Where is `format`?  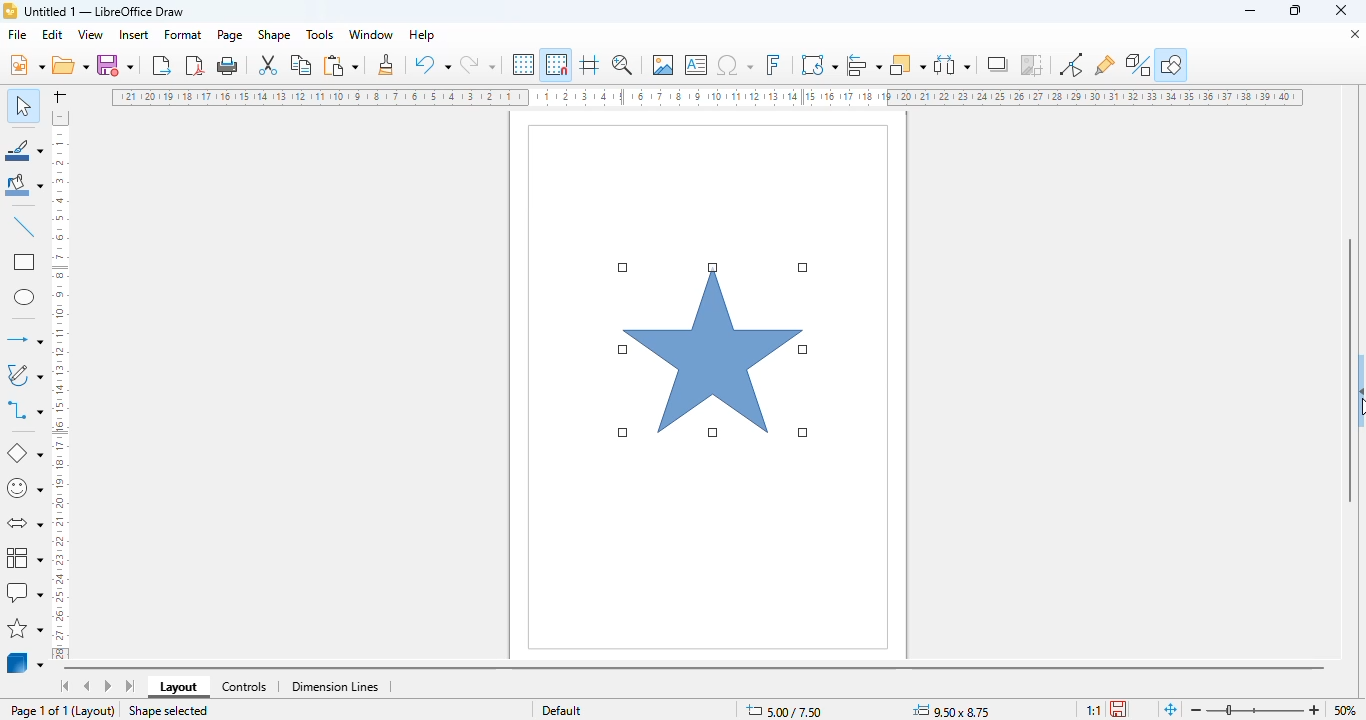
format is located at coordinates (183, 35).